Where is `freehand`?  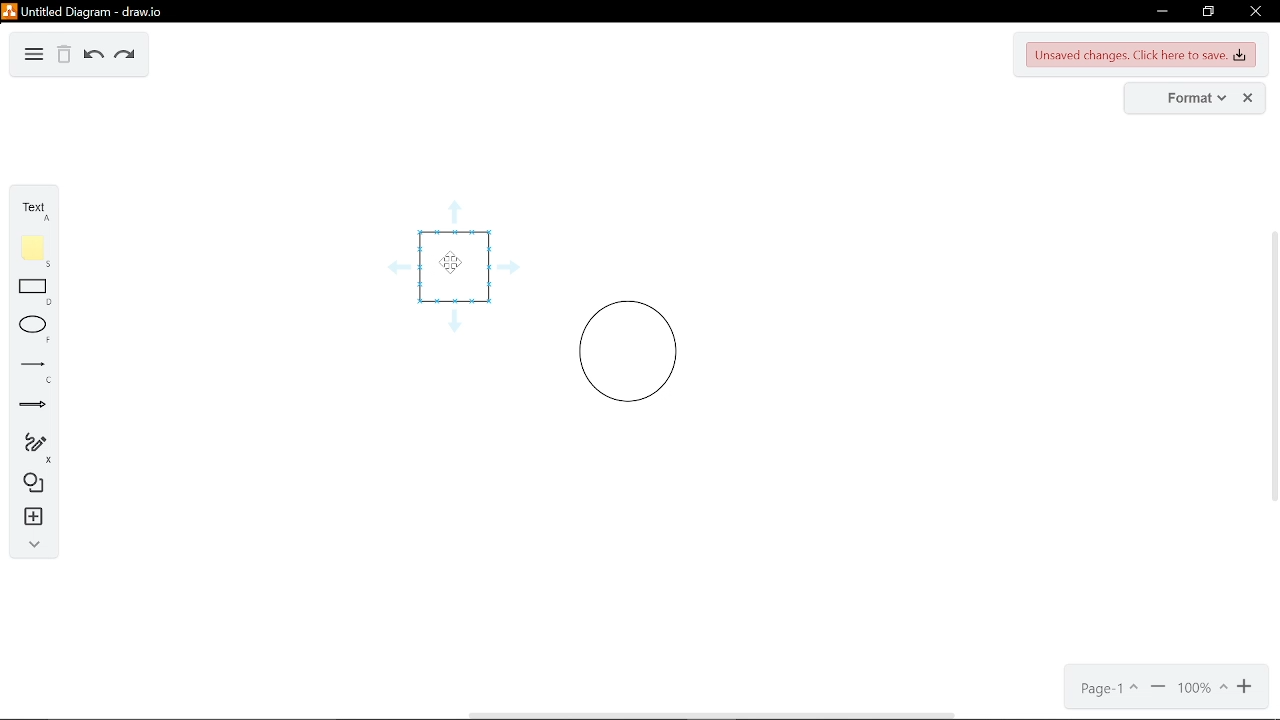 freehand is located at coordinates (31, 448).